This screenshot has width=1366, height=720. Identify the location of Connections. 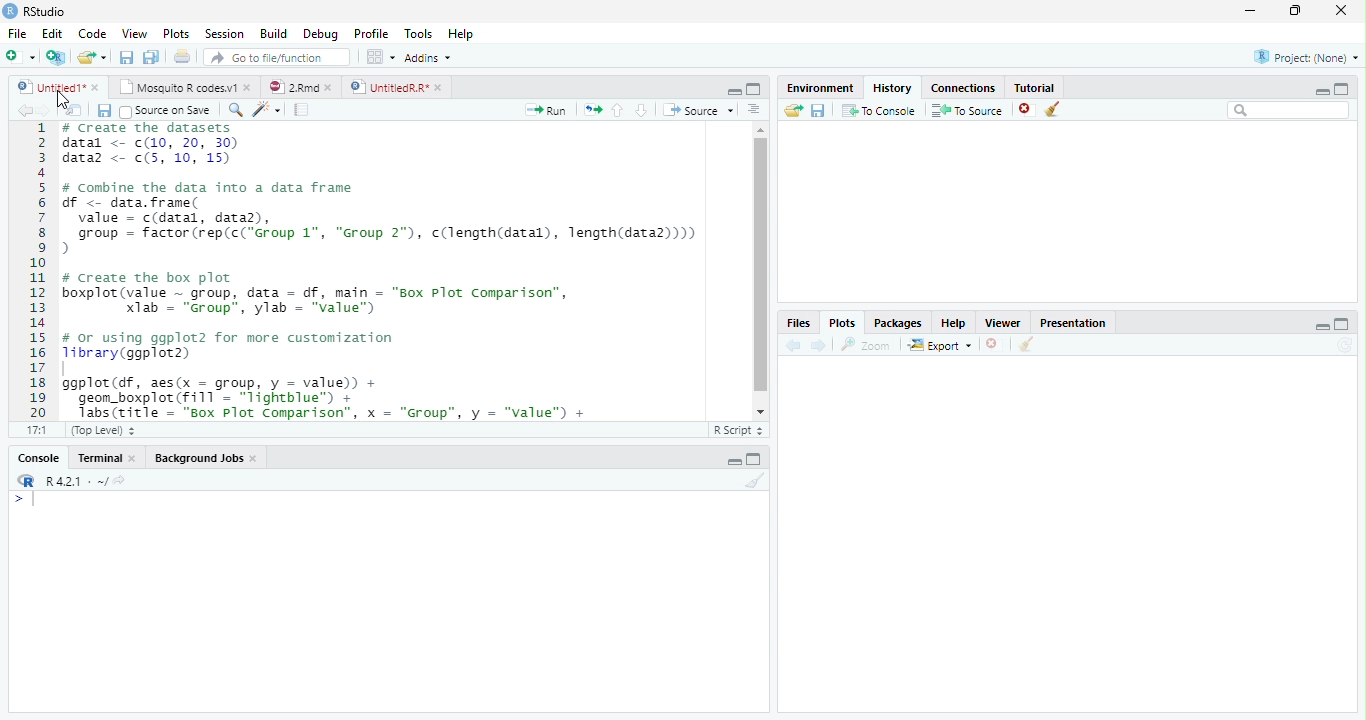
(963, 88).